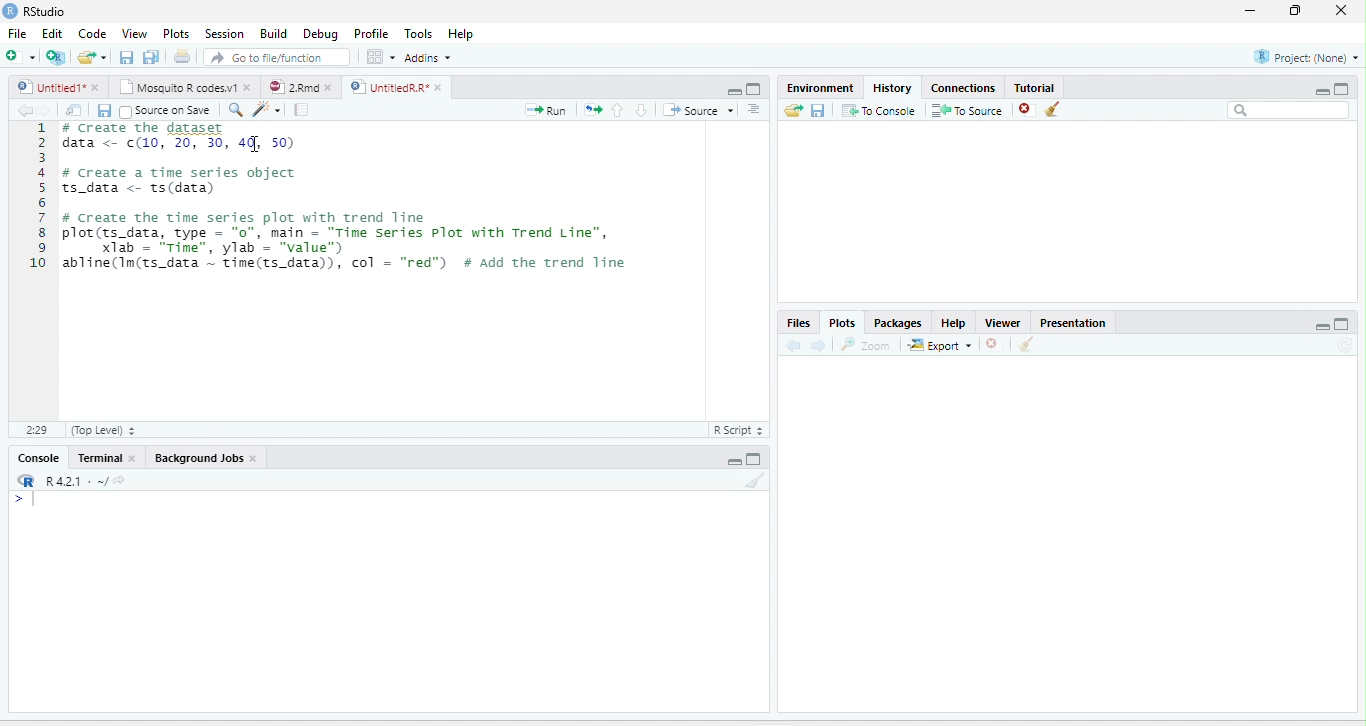 The width and height of the screenshot is (1366, 726). What do you see at coordinates (104, 57) in the screenshot?
I see `Open recent files` at bounding box center [104, 57].